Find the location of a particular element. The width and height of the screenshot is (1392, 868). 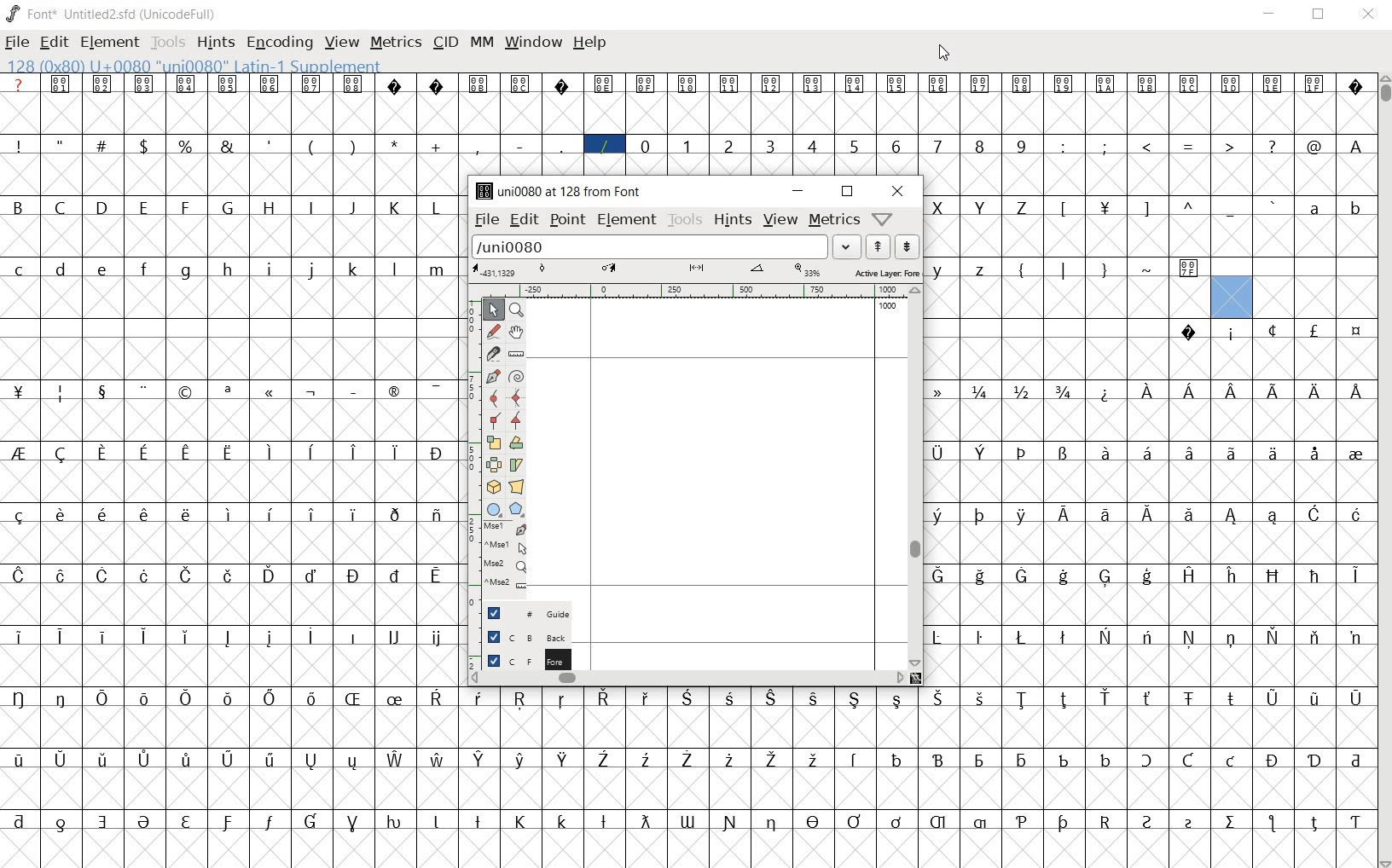

ruler is located at coordinates (687, 292).